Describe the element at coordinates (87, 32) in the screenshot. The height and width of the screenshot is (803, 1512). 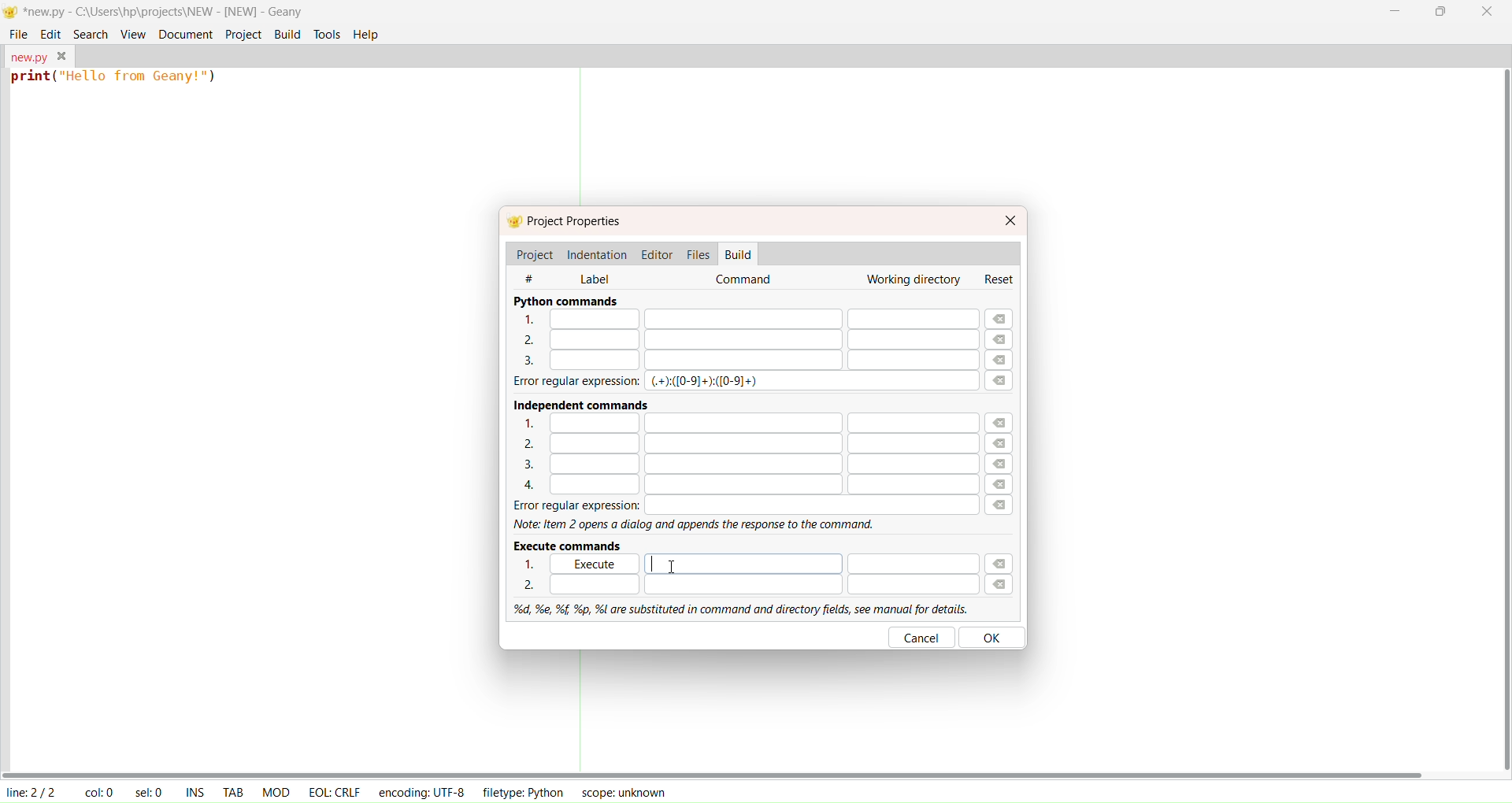
I see `search` at that location.